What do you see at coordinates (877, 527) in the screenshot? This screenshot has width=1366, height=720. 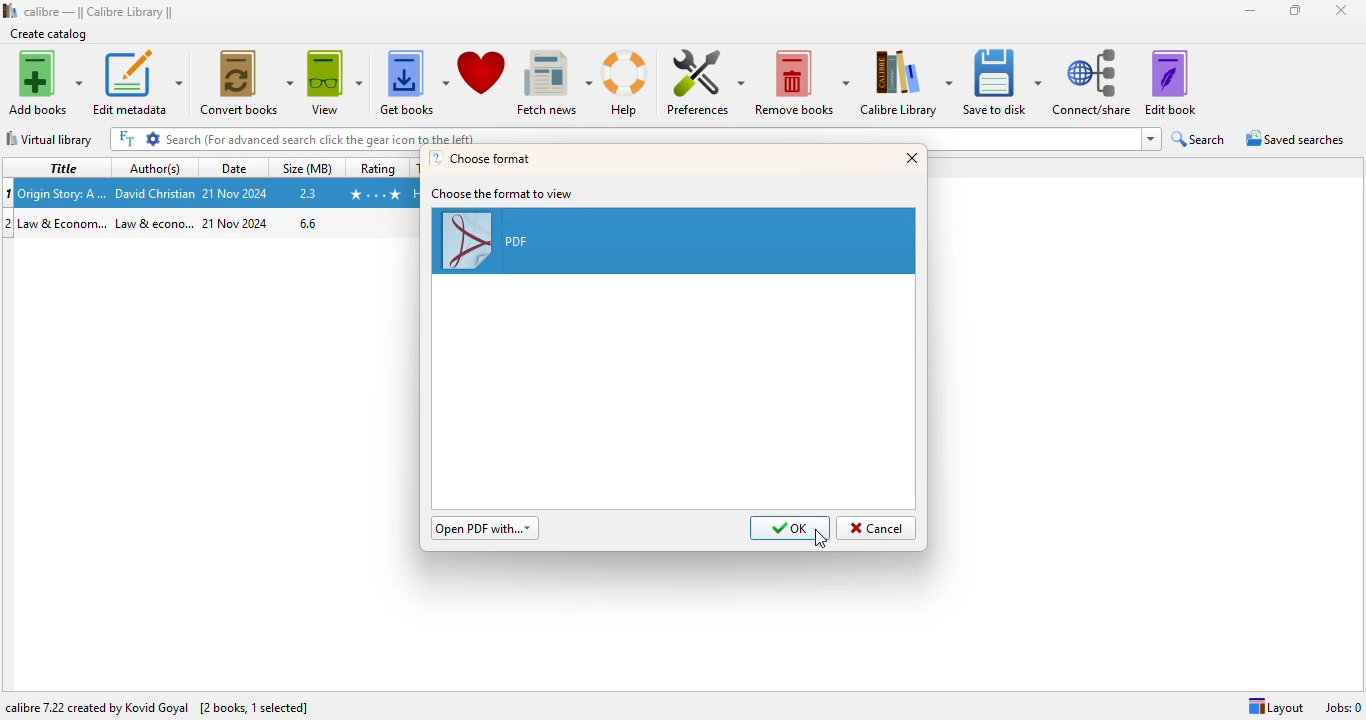 I see `cancel` at bounding box center [877, 527].